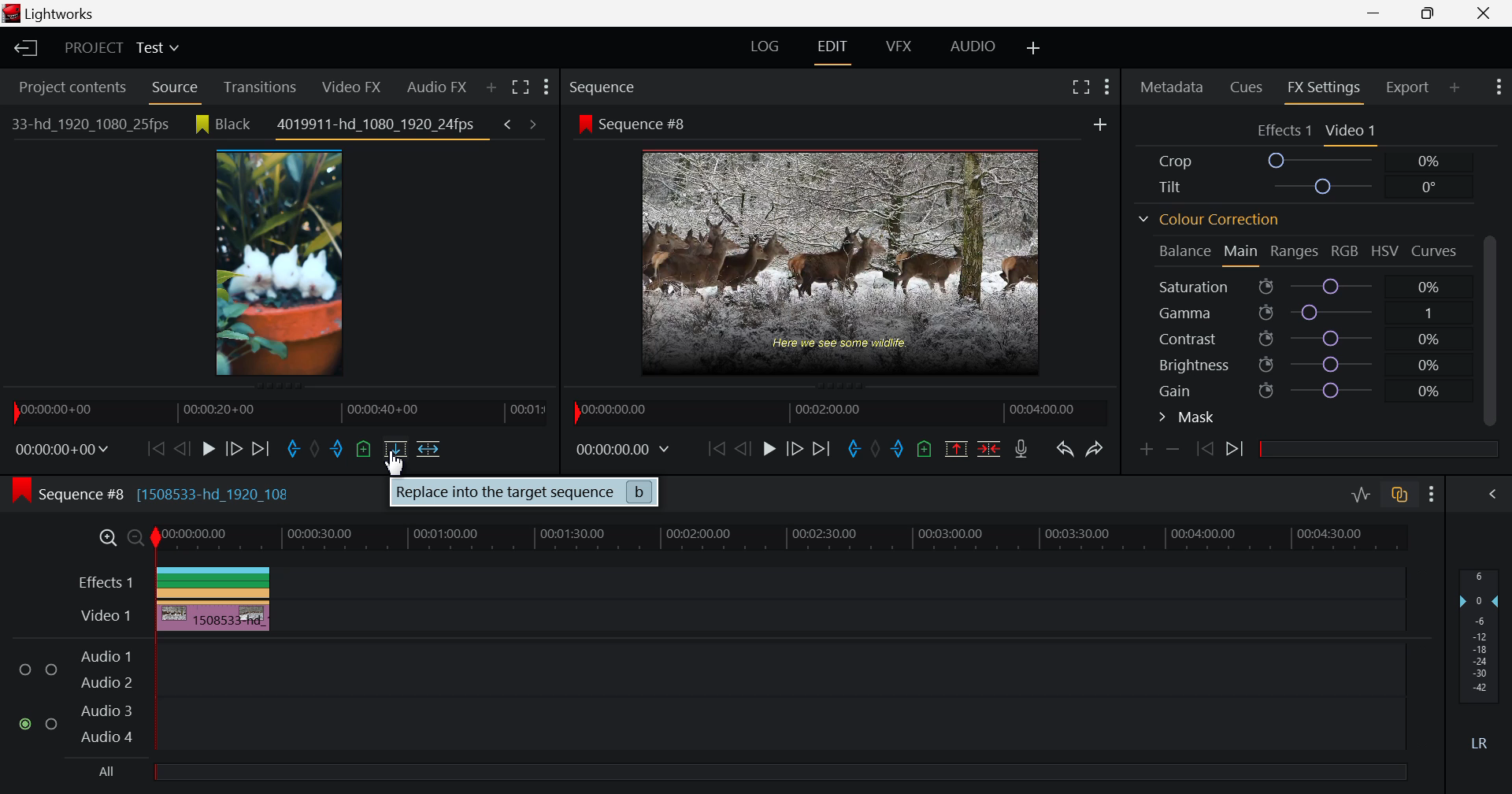 The height and width of the screenshot is (794, 1512). What do you see at coordinates (23, 46) in the screenshot?
I see `Back to Homepage` at bounding box center [23, 46].